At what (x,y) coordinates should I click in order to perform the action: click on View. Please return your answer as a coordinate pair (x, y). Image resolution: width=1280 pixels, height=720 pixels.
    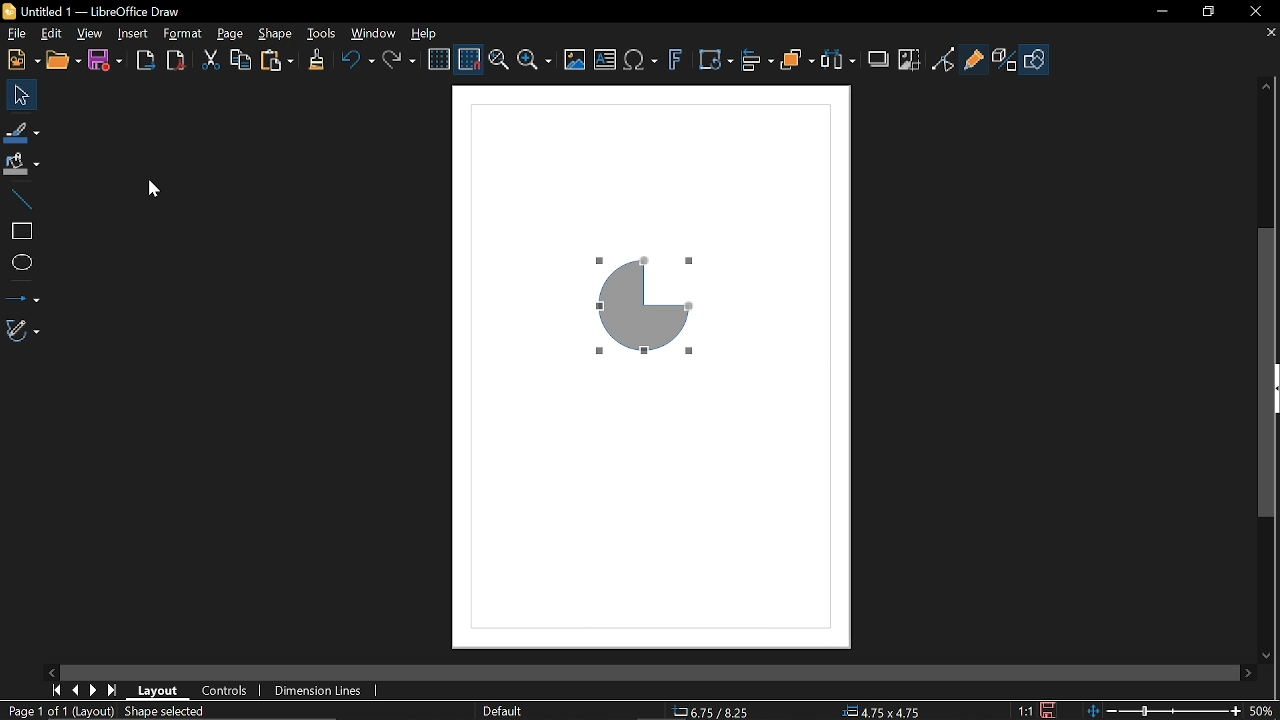
    Looking at the image, I should click on (90, 34).